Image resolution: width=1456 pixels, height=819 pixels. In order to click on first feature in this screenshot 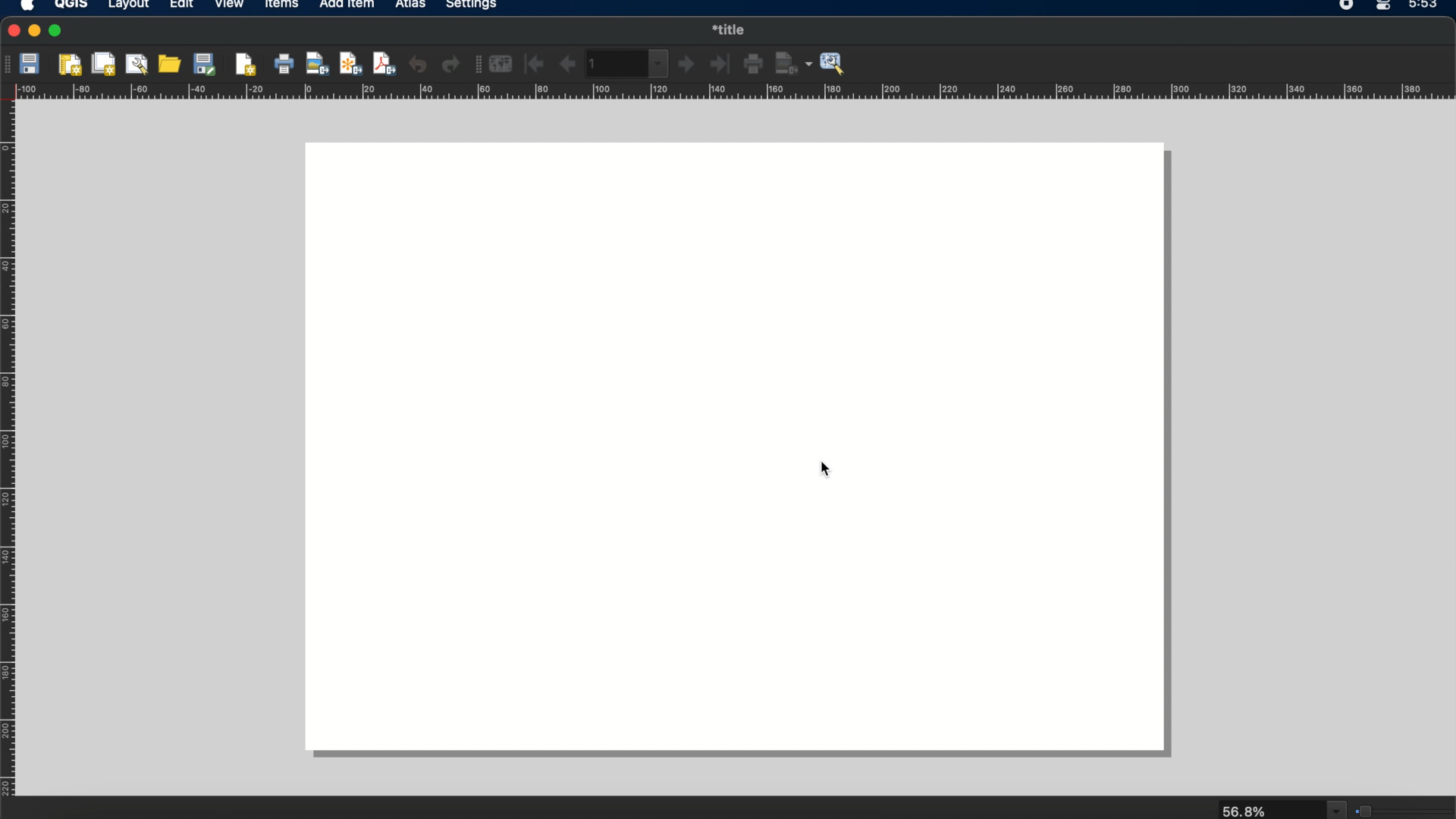, I will do `click(535, 64)`.